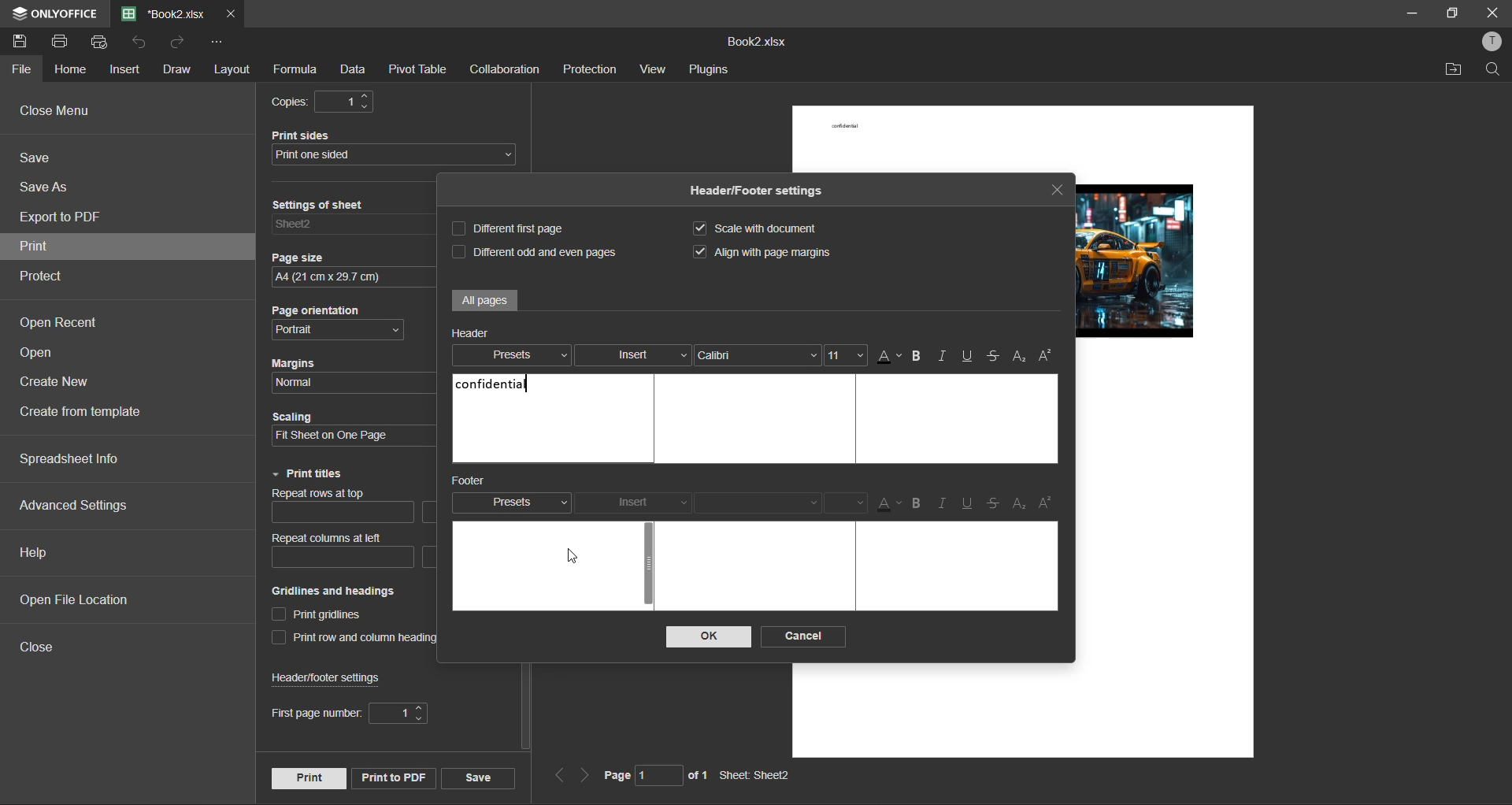 Image resolution: width=1512 pixels, height=805 pixels. I want to click on align with page margins, so click(762, 250).